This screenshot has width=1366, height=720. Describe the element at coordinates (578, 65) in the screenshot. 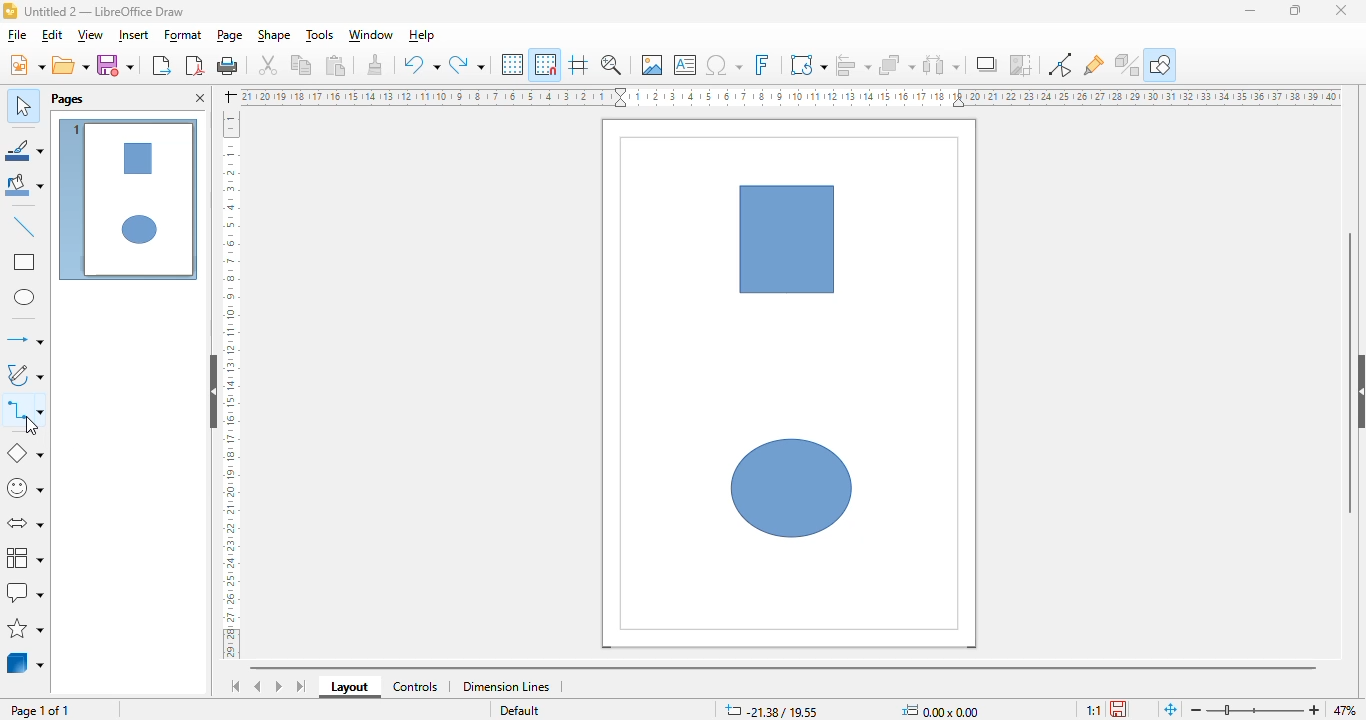

I see `helplines while moving` at that location.